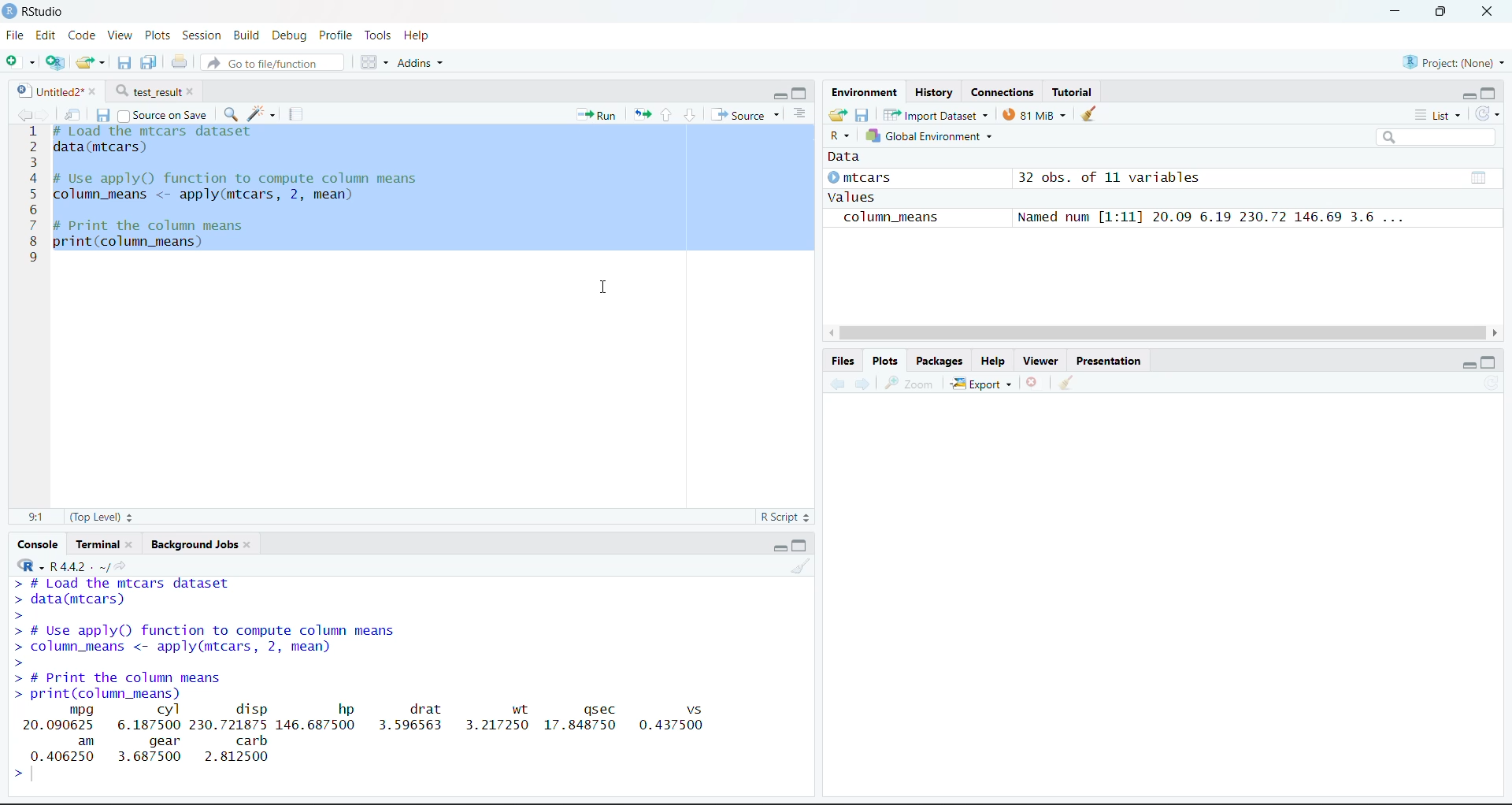  I want to click on Files, so click(843, 360).